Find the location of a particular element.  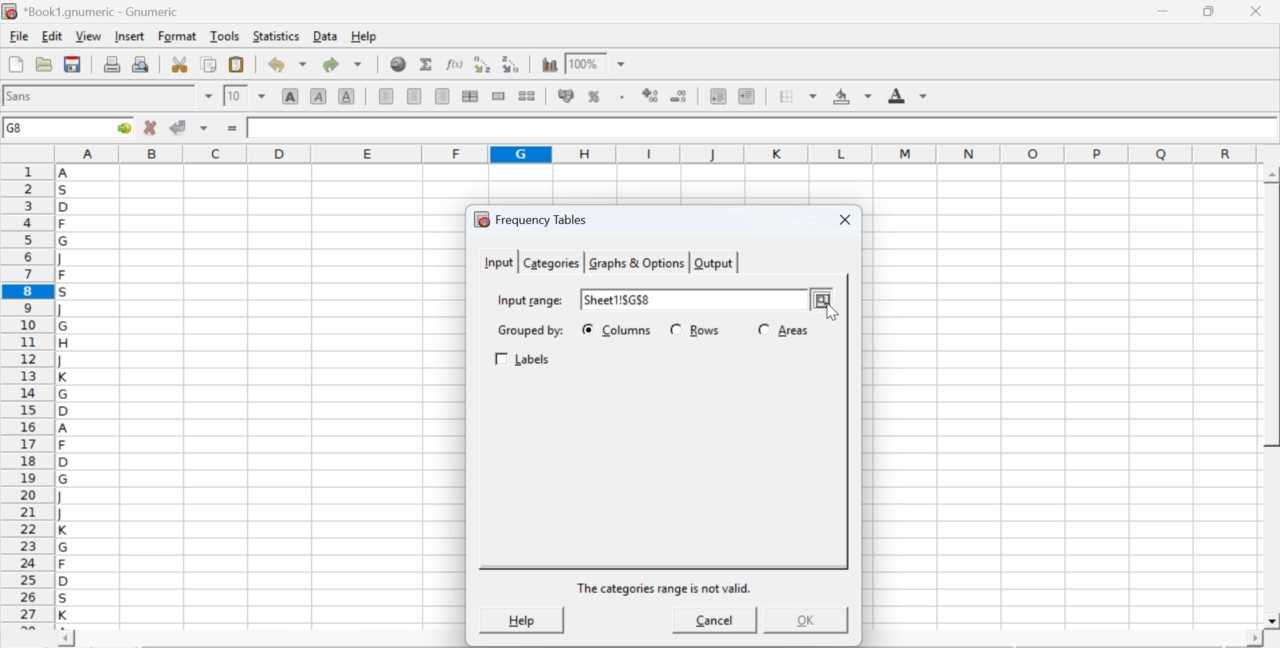

redo is located at coordinates (342, 64).